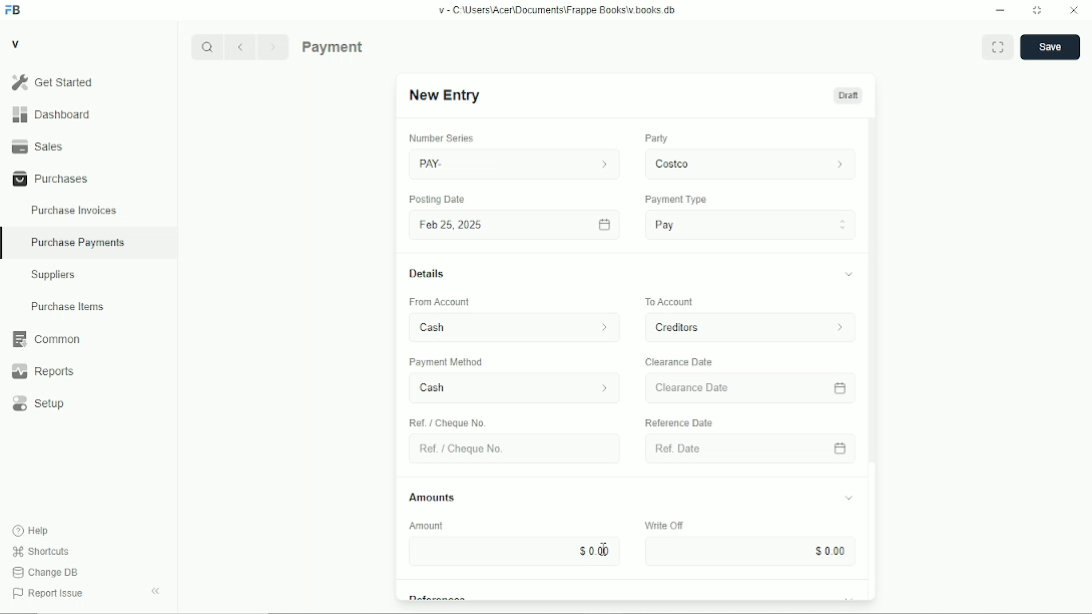  I want to click on Purchase Payments, so click(372, 46).